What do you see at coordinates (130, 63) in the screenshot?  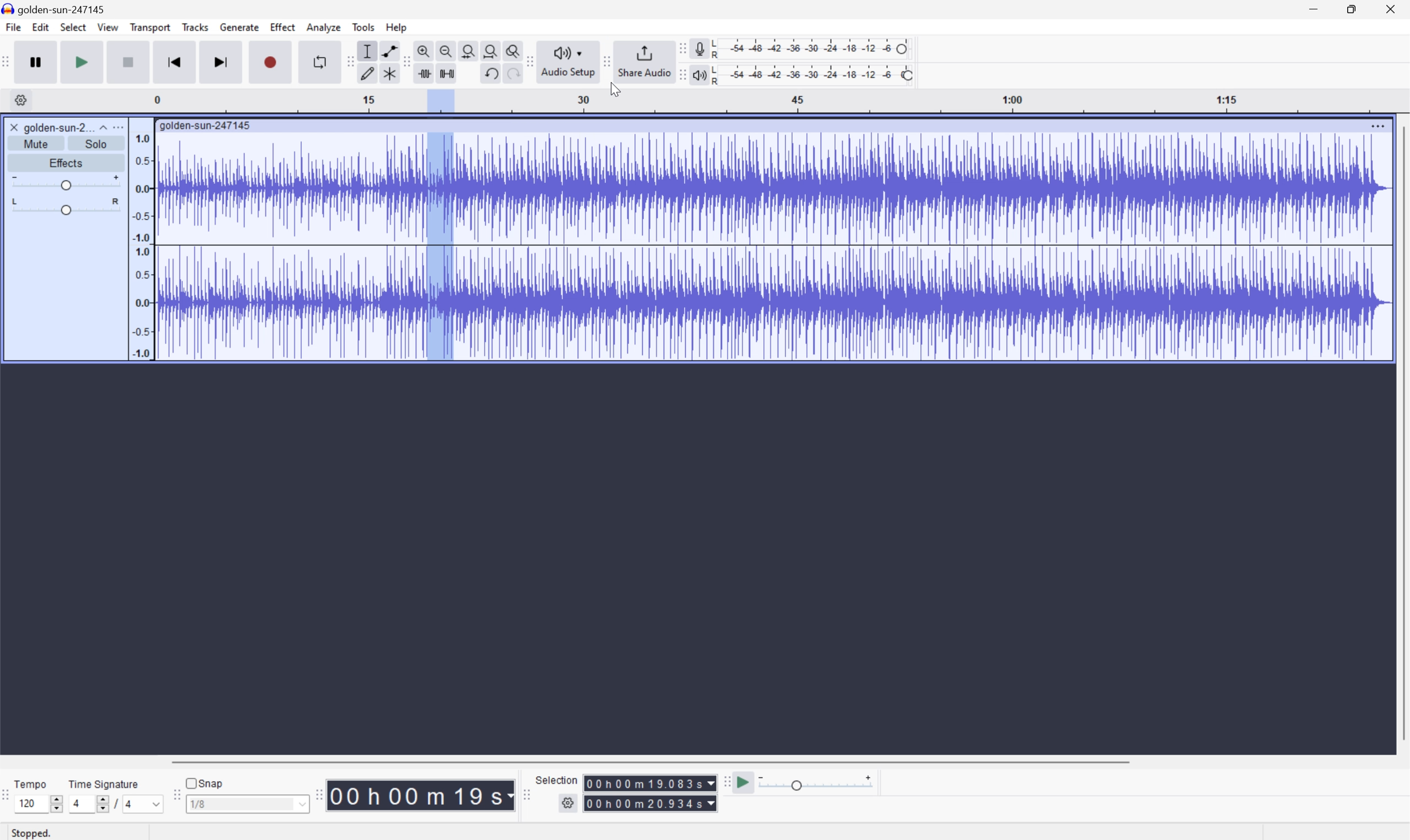 I see `Stop` at bounding box center [130, 63].